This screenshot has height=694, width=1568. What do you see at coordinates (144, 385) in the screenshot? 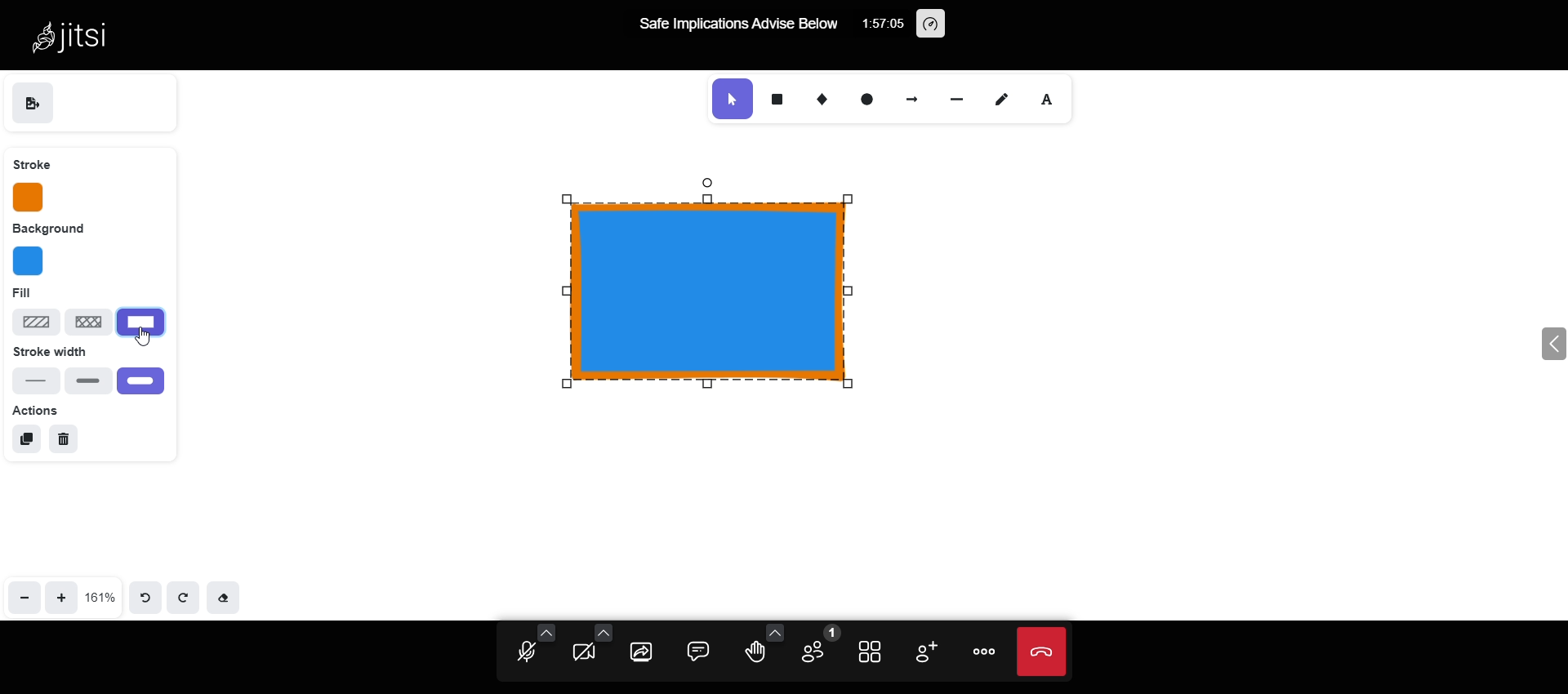
I see `extra bold` at bounding box center [144, 385].